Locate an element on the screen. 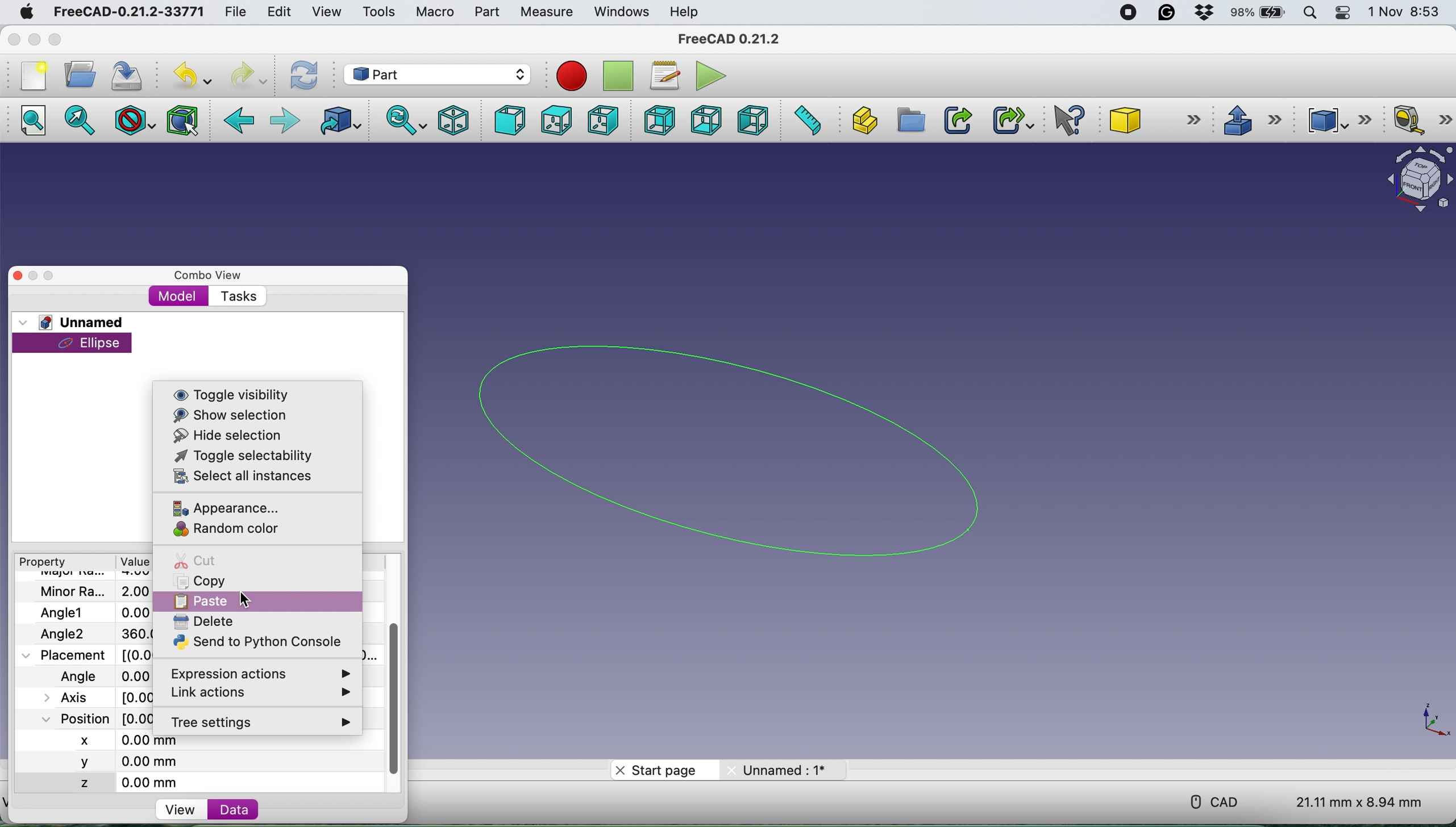 This screenshot has height=827, width=1456. fit all is located at coordinates (33, 120).